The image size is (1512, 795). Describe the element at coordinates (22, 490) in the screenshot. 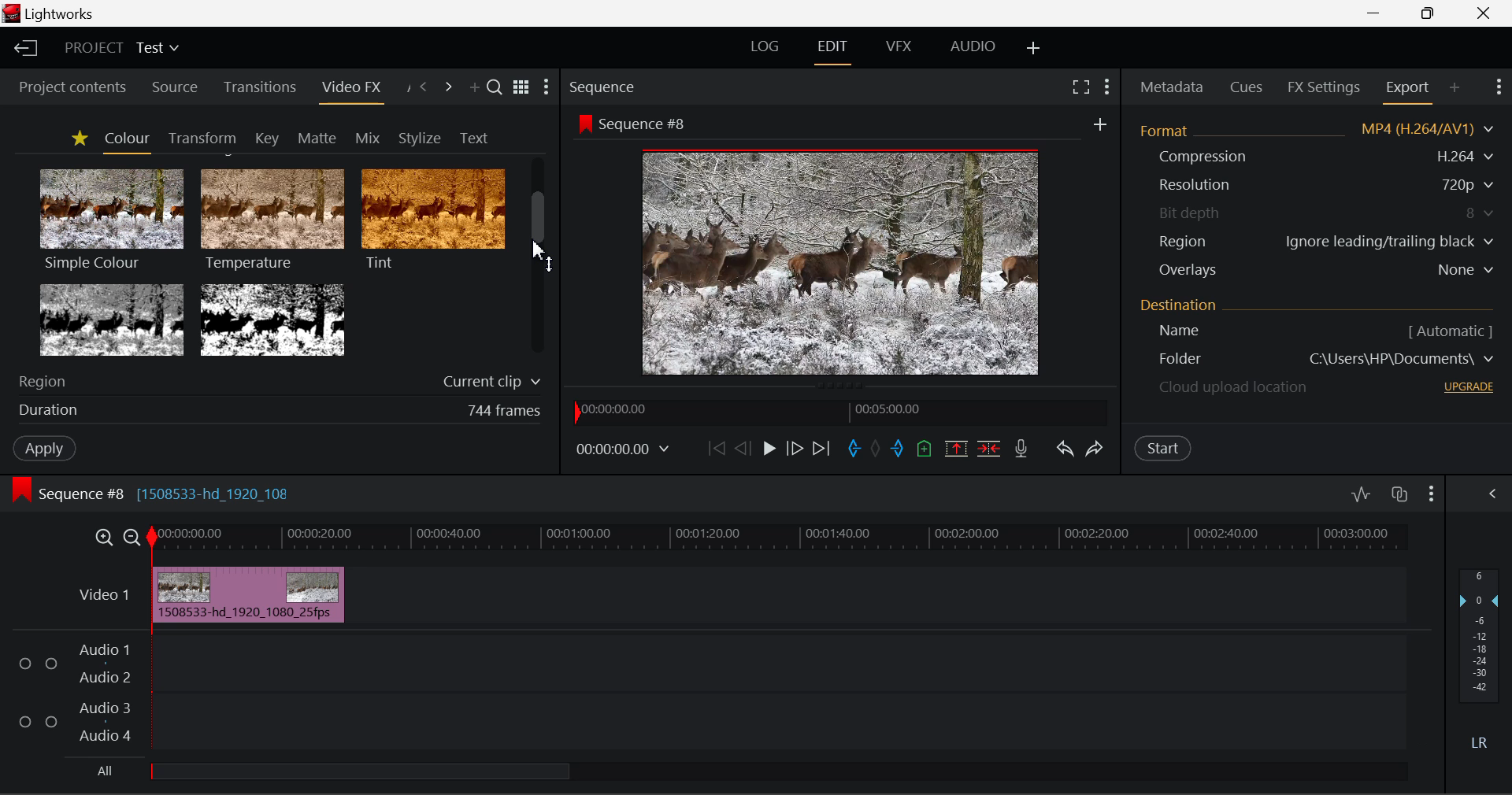

I see `icon` at that location.